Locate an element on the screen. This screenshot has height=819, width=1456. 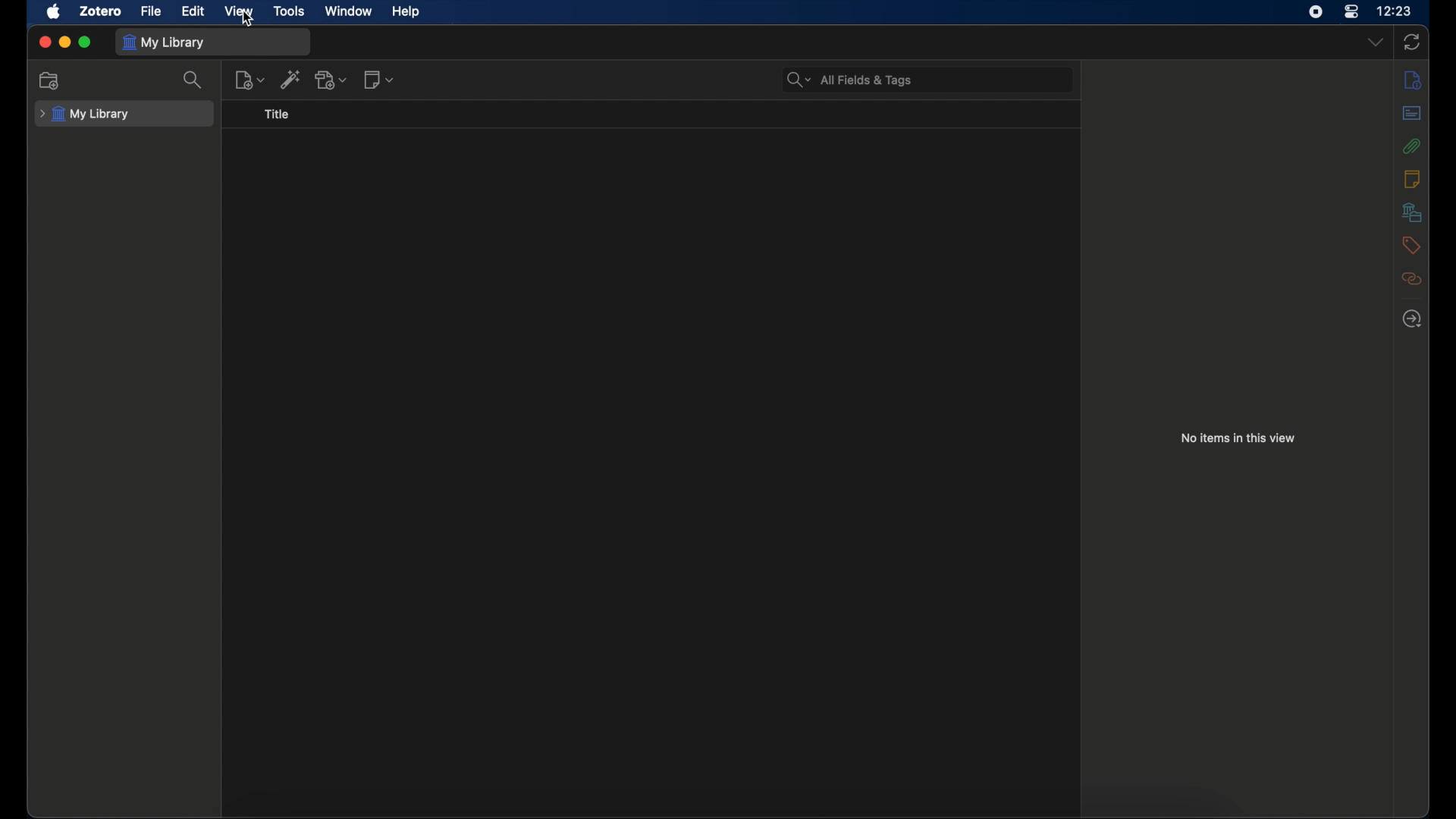
close is located at coordinates (45, 42).